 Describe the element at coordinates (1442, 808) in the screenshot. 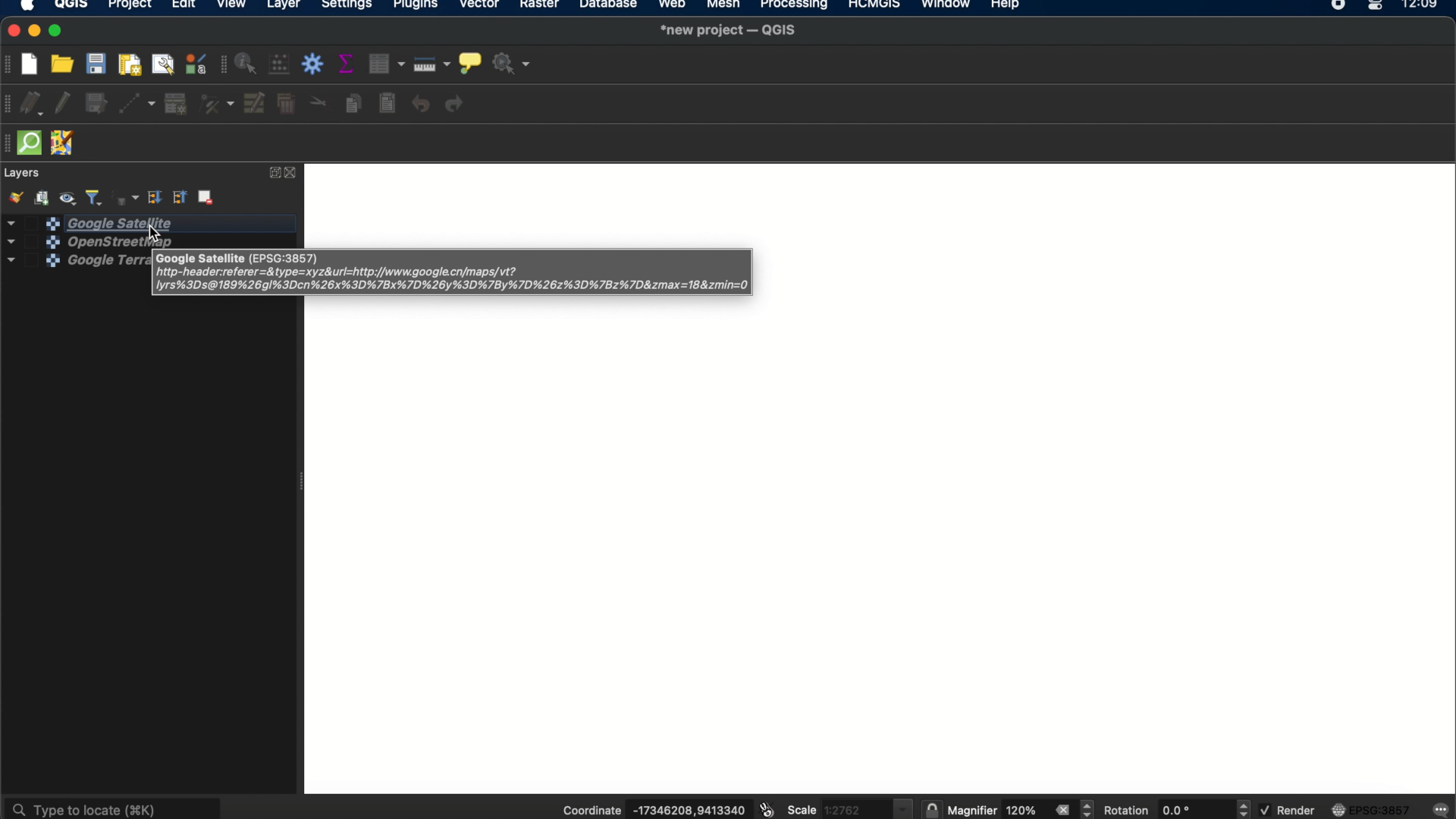

I see `messages` at that location.